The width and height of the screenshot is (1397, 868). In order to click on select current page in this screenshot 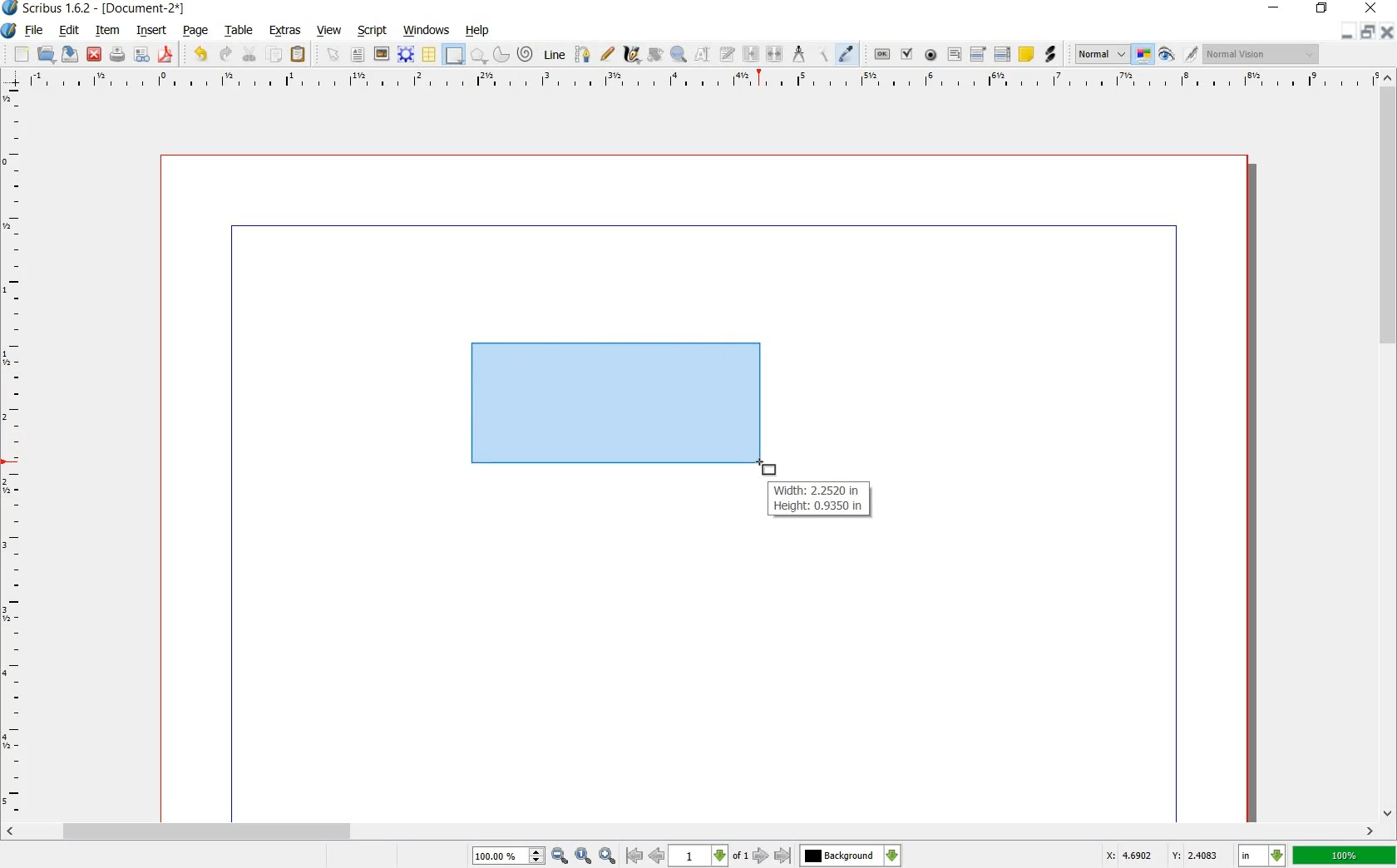, I will do `click(708, 856)`.